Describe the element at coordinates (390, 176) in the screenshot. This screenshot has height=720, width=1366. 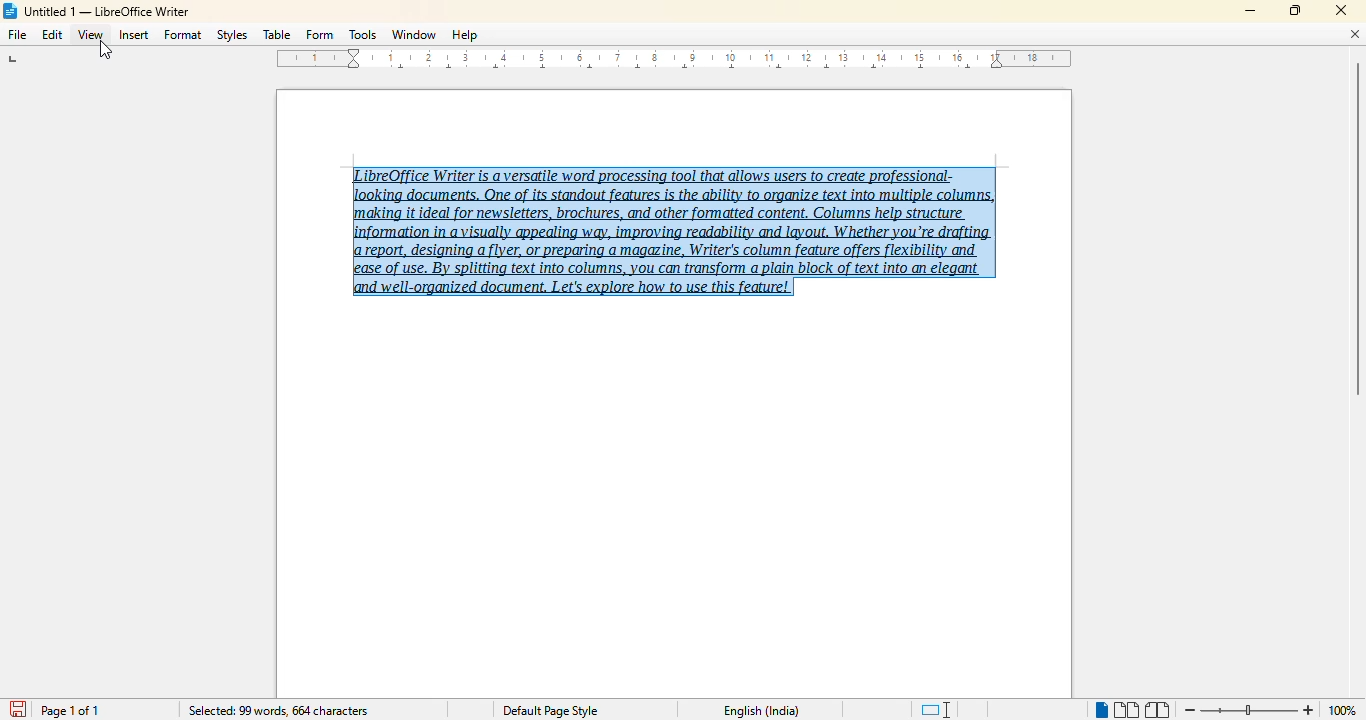
I see `hotkey (Ctrl + A)` at that location.